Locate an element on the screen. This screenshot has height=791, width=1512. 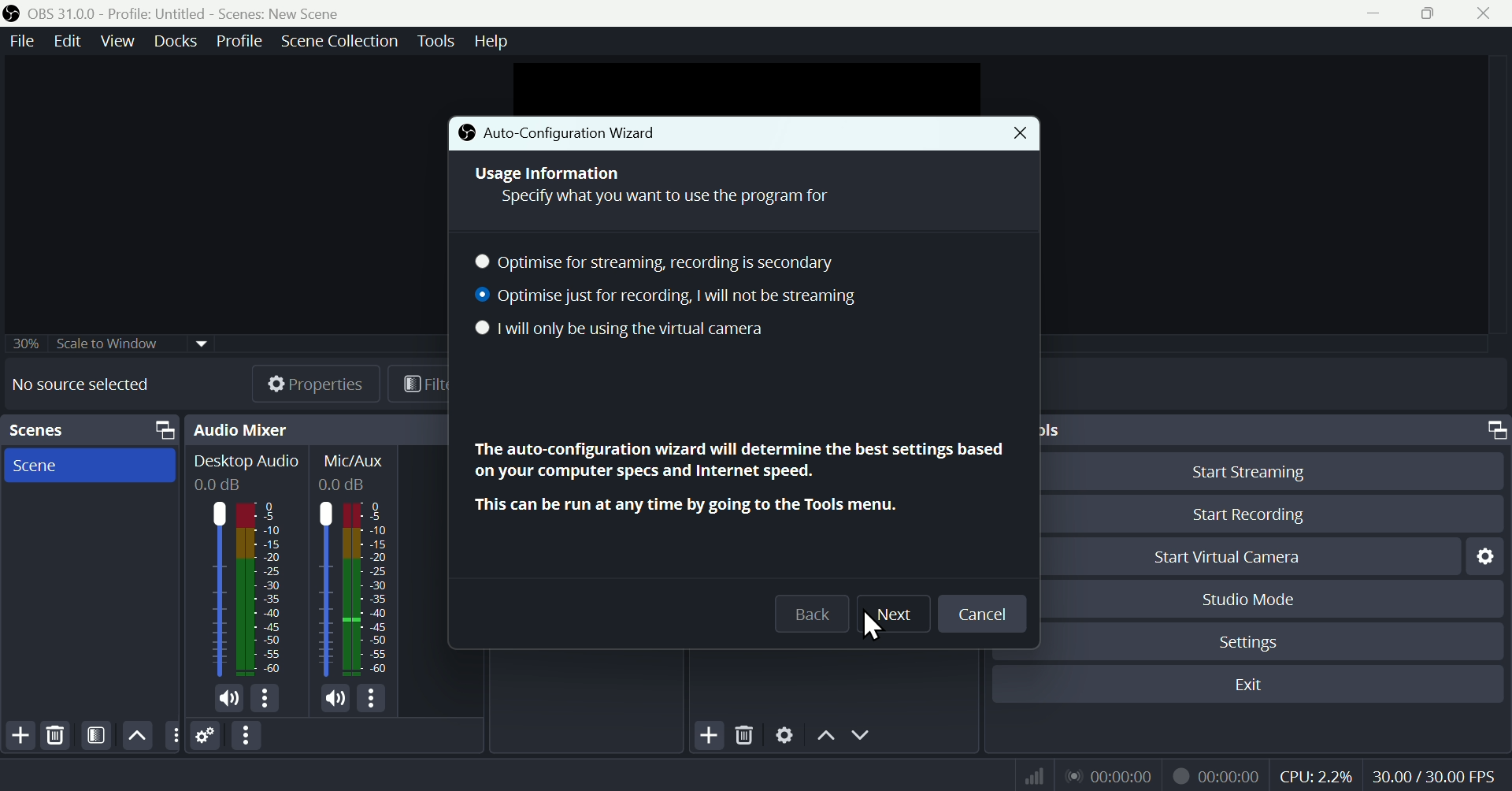
options is located at coordinates (370, 698).